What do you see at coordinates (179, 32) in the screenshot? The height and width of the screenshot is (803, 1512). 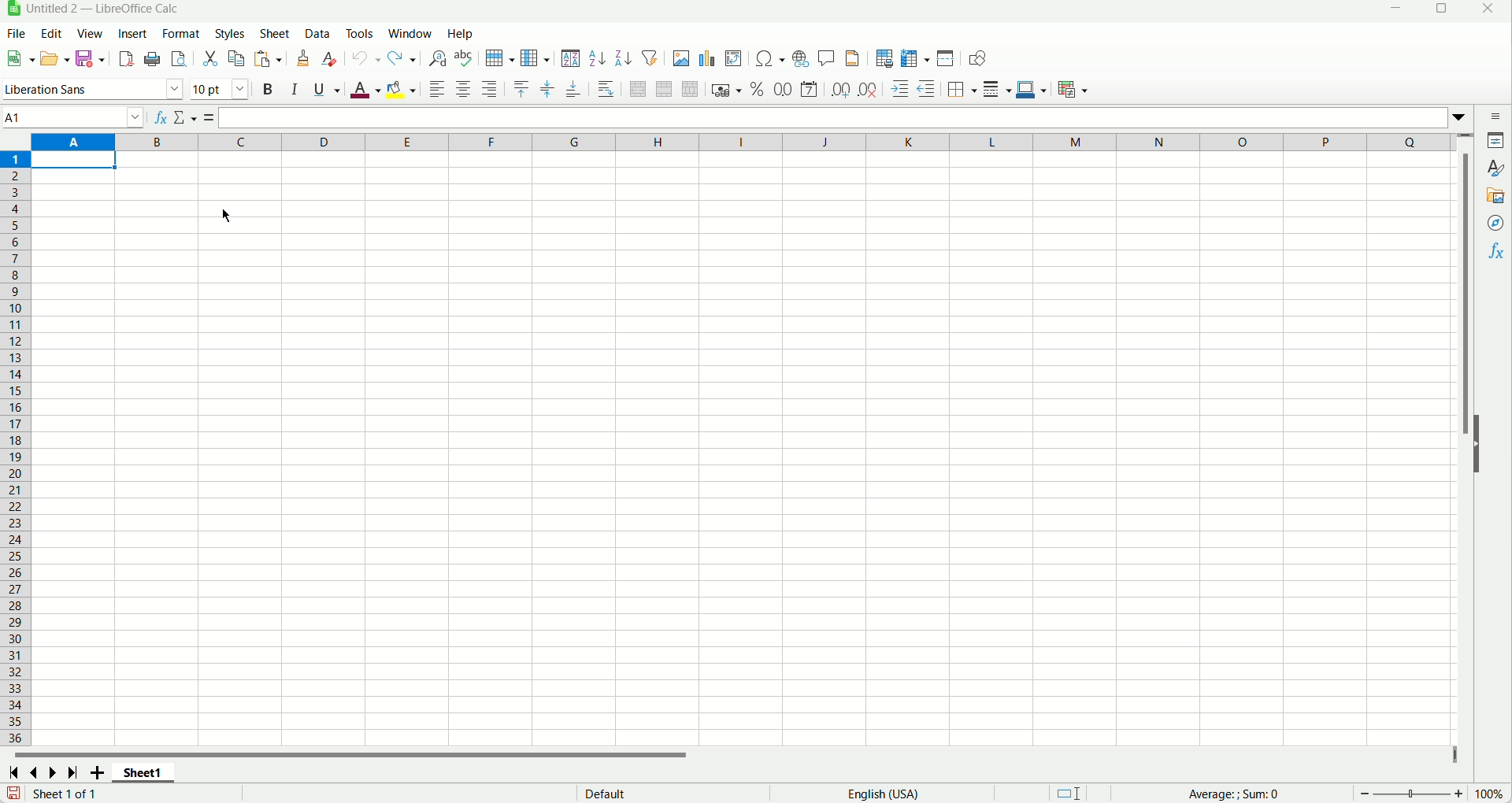 I see `Format` at bounding box center [179, 32].